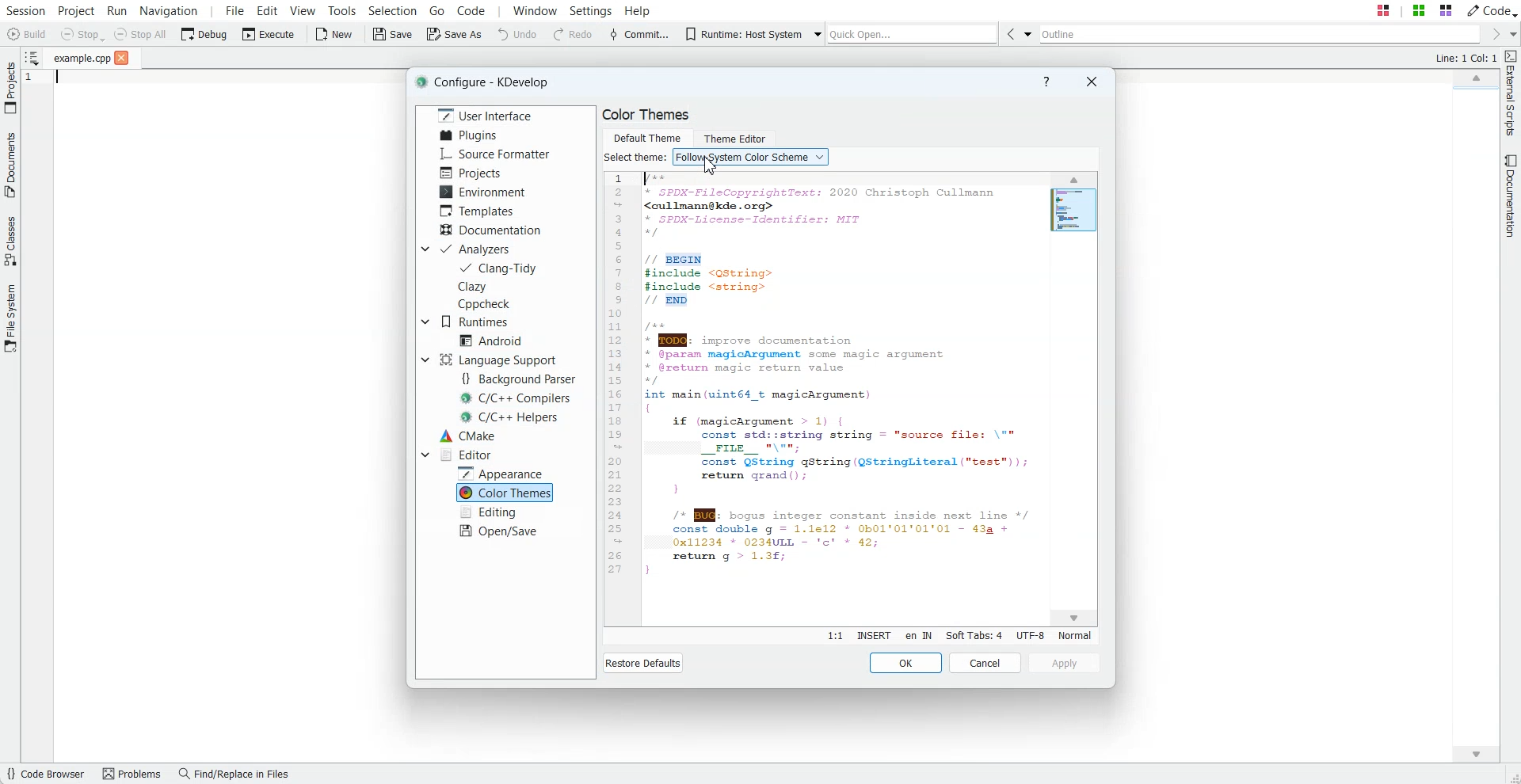 This screenshot has height=784, width=1521. I want to click on Apply, so click(1064, 664).